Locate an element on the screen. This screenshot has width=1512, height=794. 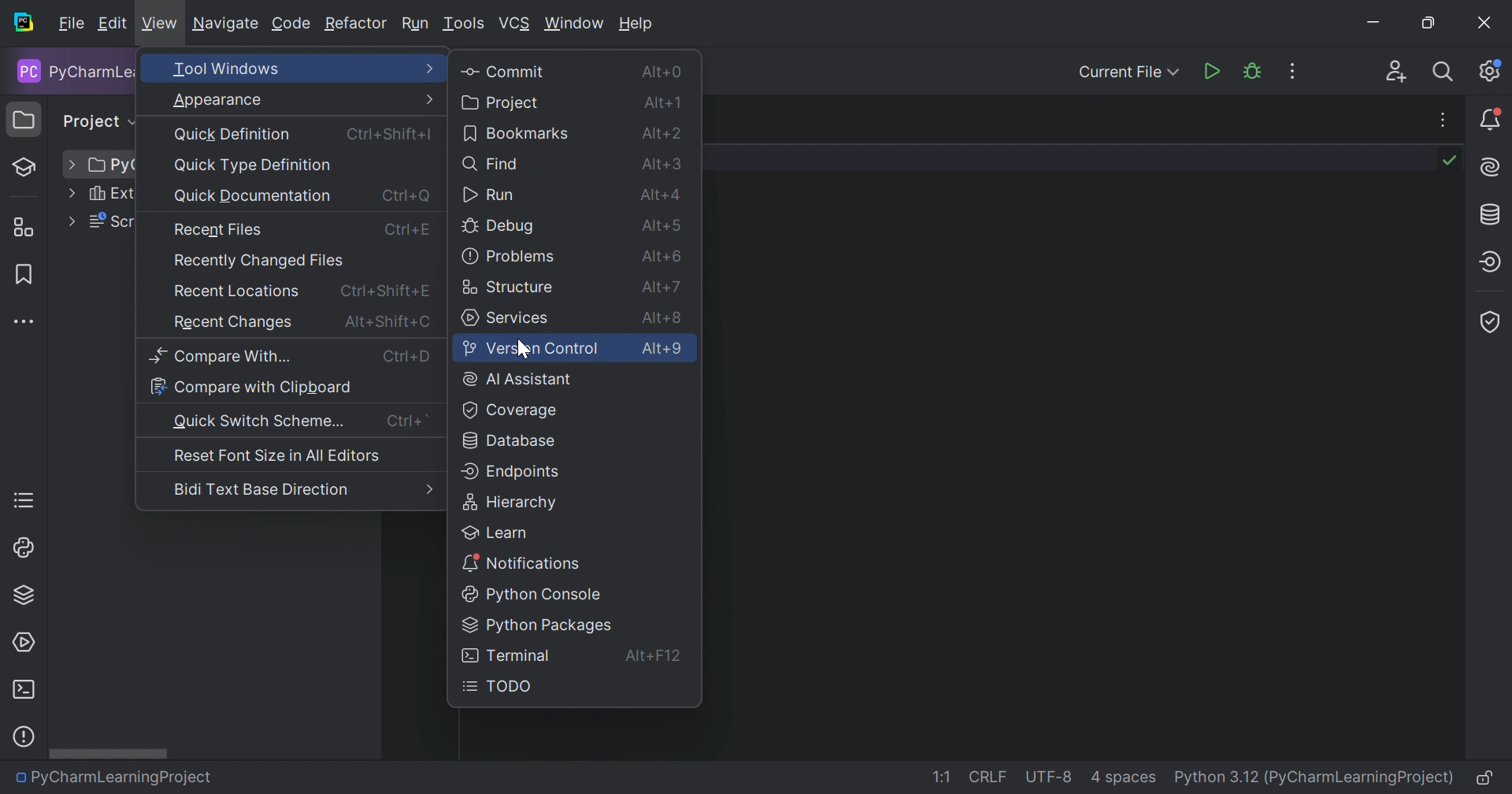
Quick Type Definition is located at coordinates (256, 165).